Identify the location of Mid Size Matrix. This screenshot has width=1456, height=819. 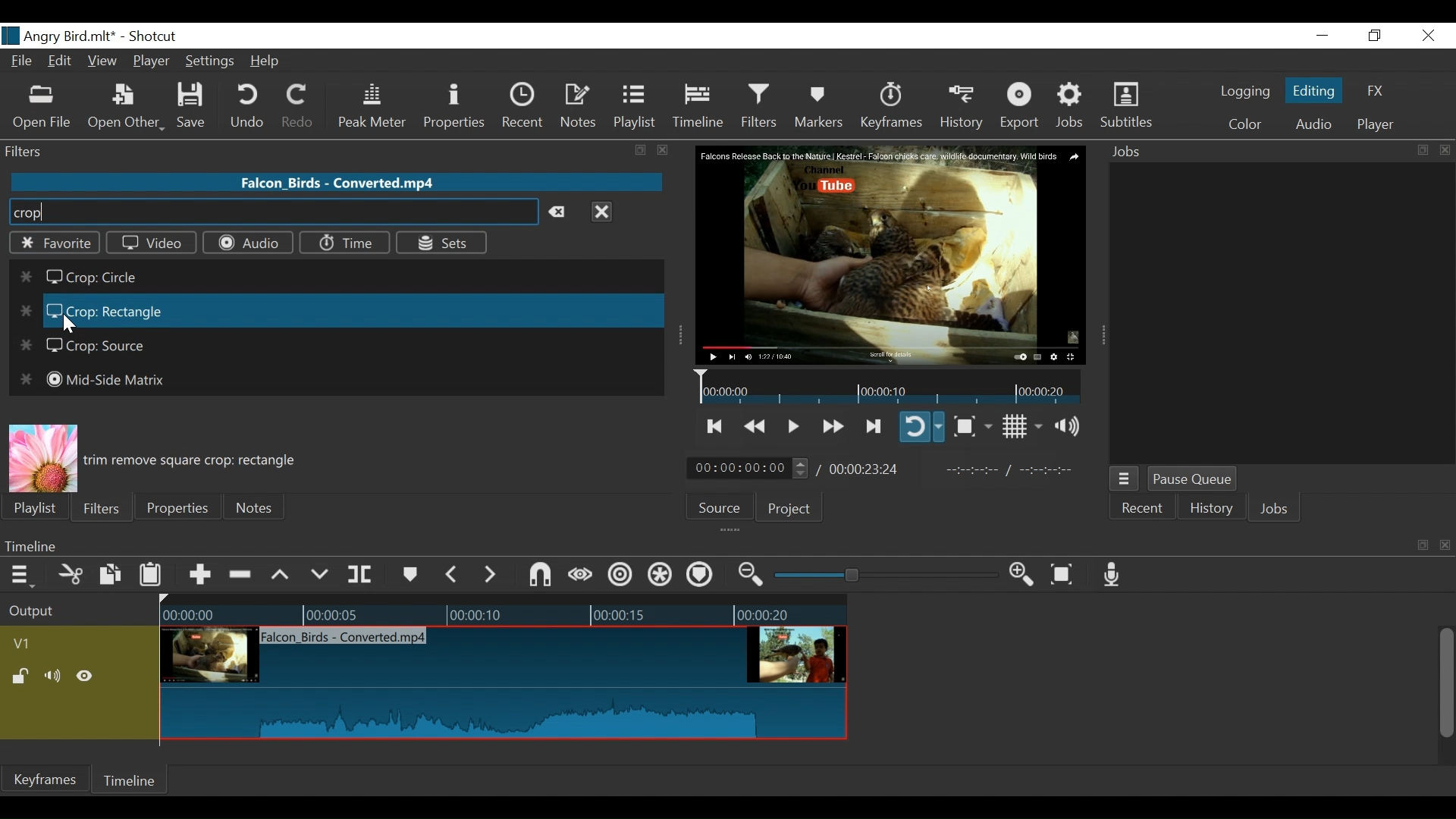
(92, 380).